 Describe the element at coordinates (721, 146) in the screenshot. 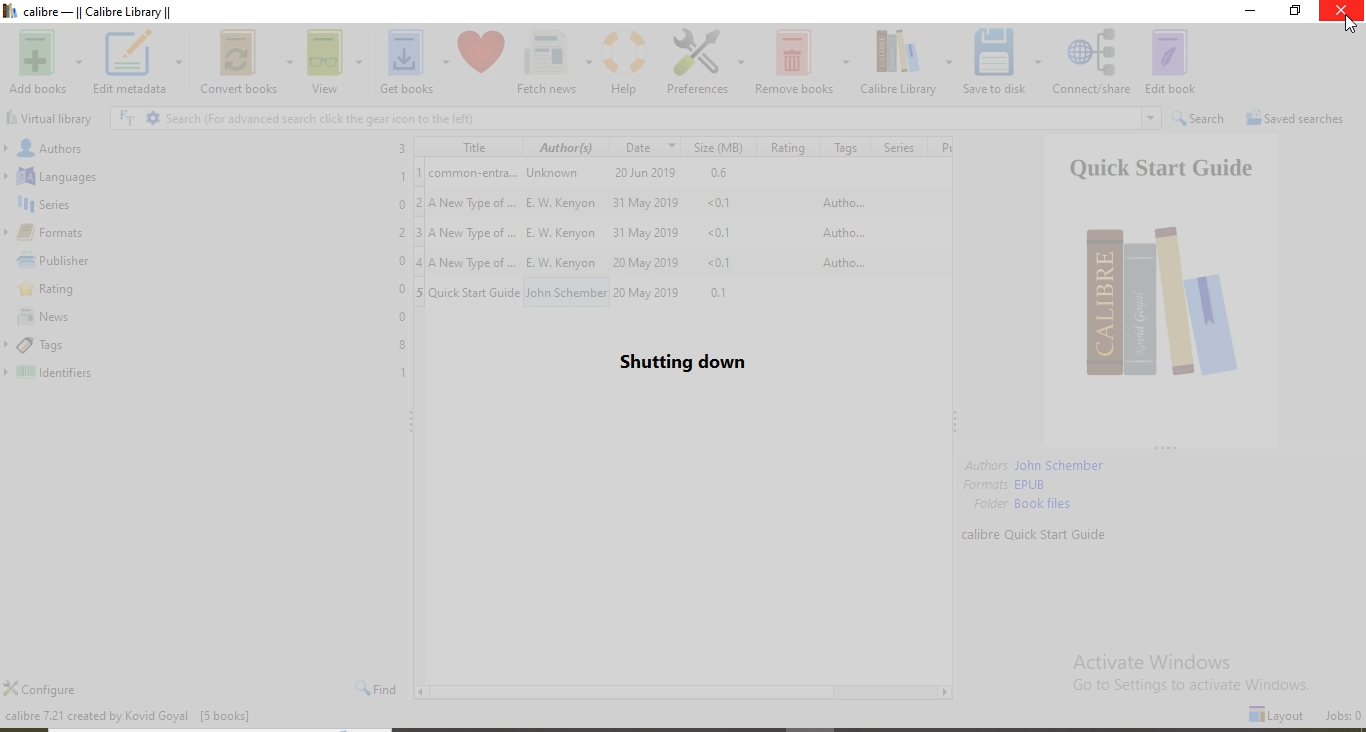

I see `Size(MB)` at that location.